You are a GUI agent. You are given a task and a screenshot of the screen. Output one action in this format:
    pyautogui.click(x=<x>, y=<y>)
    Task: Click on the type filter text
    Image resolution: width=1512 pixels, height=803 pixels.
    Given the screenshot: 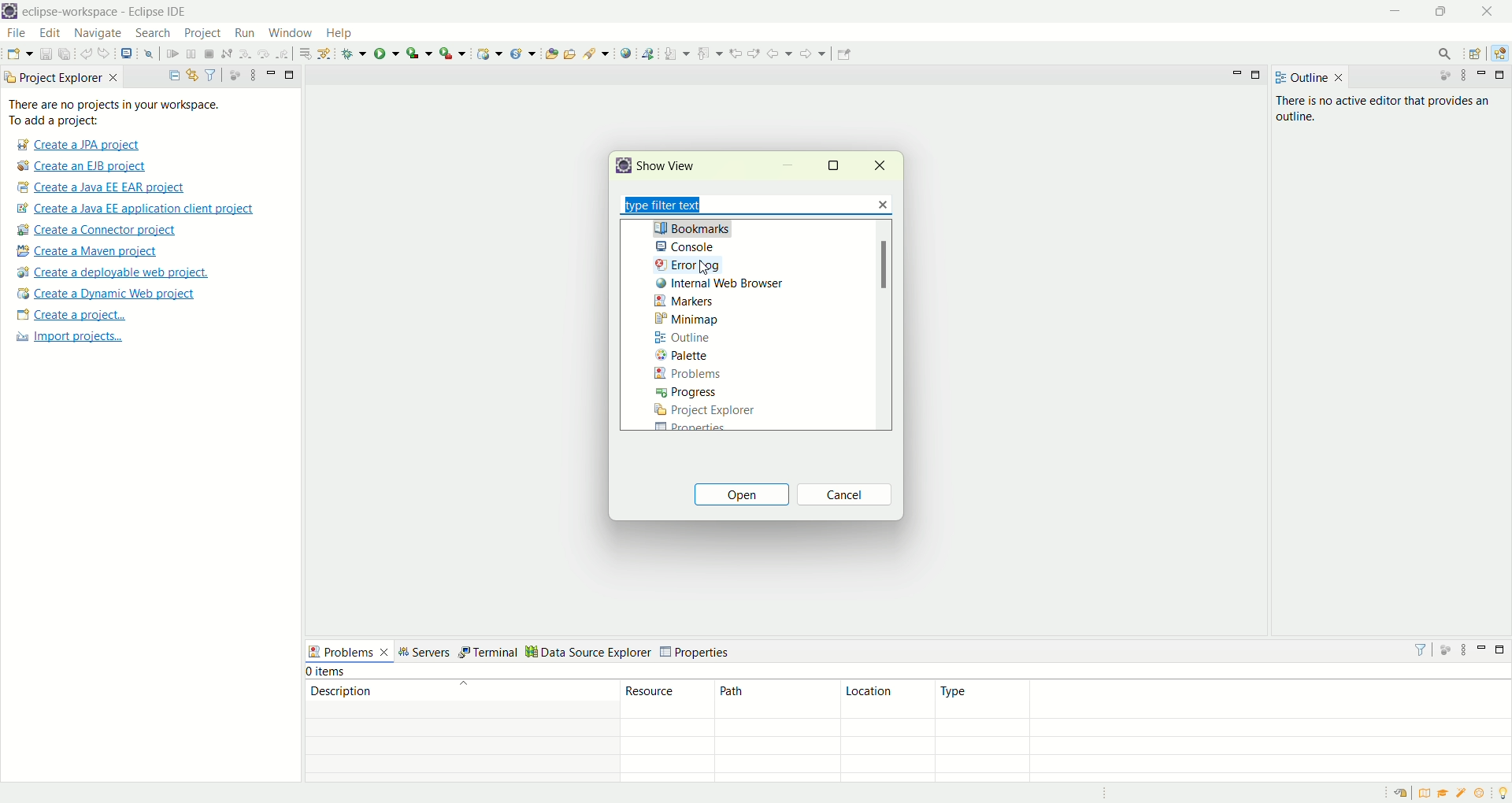 What is the action you would take?
    pyautogui.click(x=665, y=205)
    